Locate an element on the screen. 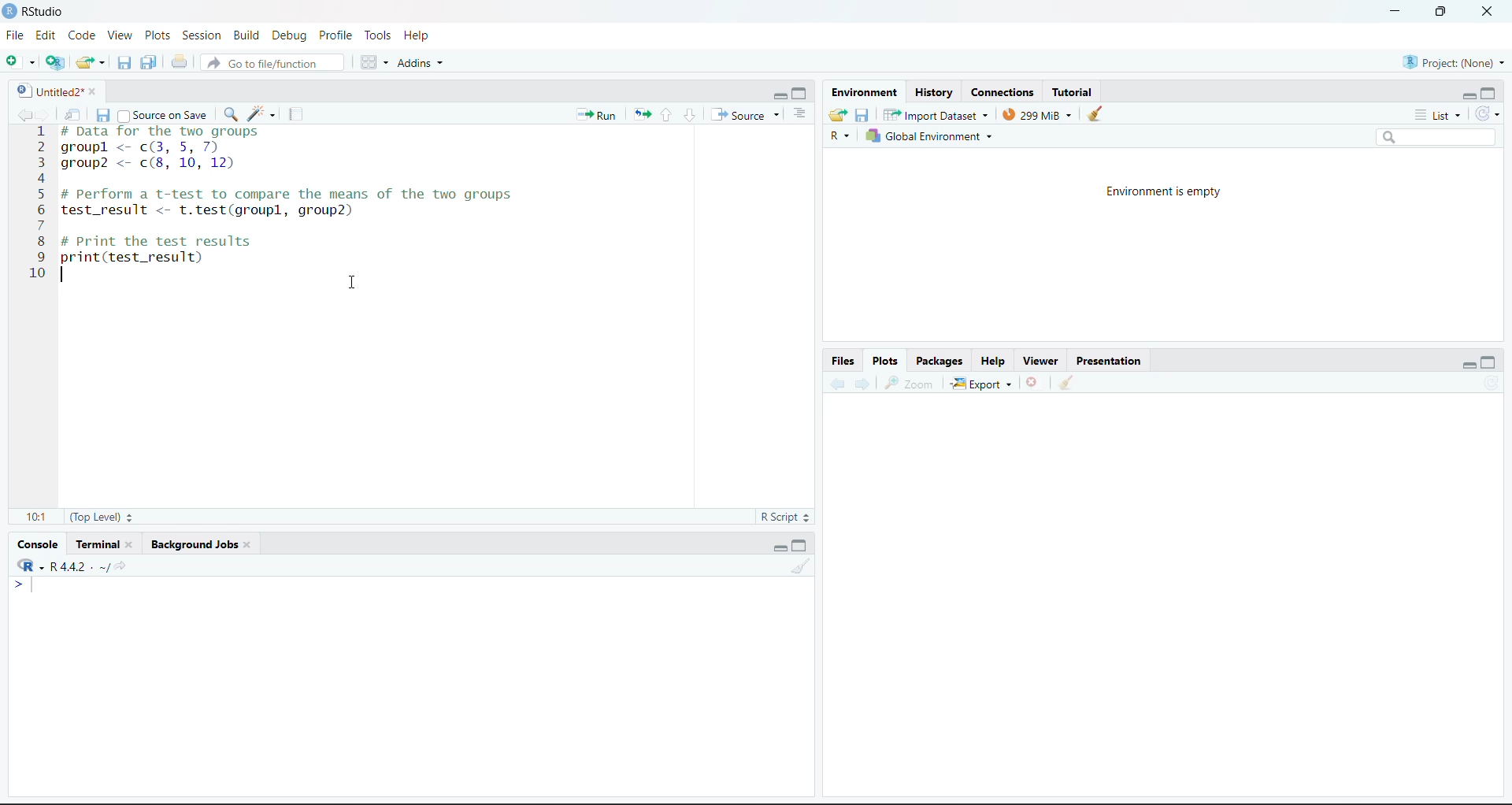  Session is located at coordinates (203, 35).